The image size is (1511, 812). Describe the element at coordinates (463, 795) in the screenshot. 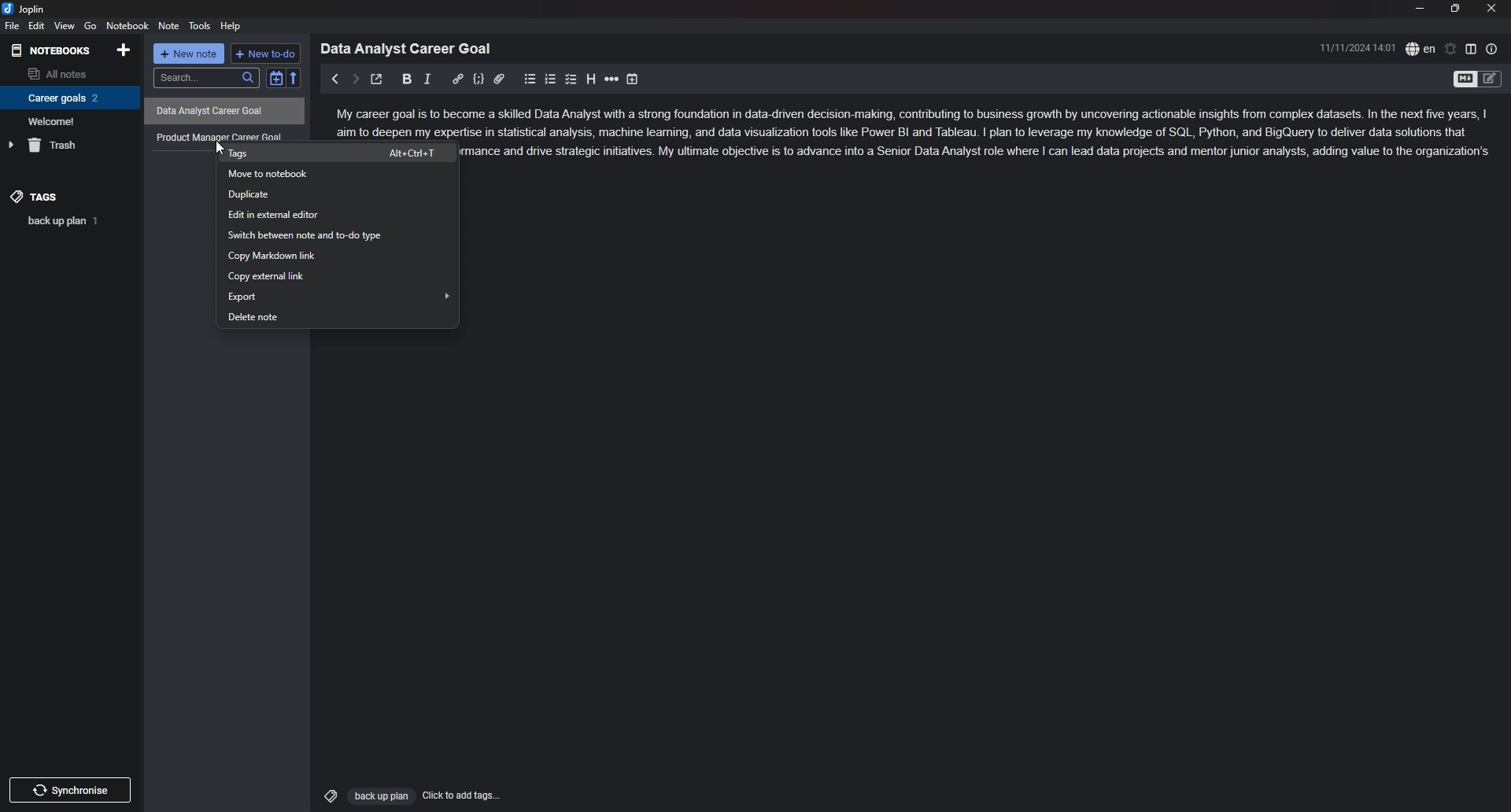

I see `Click to add tags...` at that location.